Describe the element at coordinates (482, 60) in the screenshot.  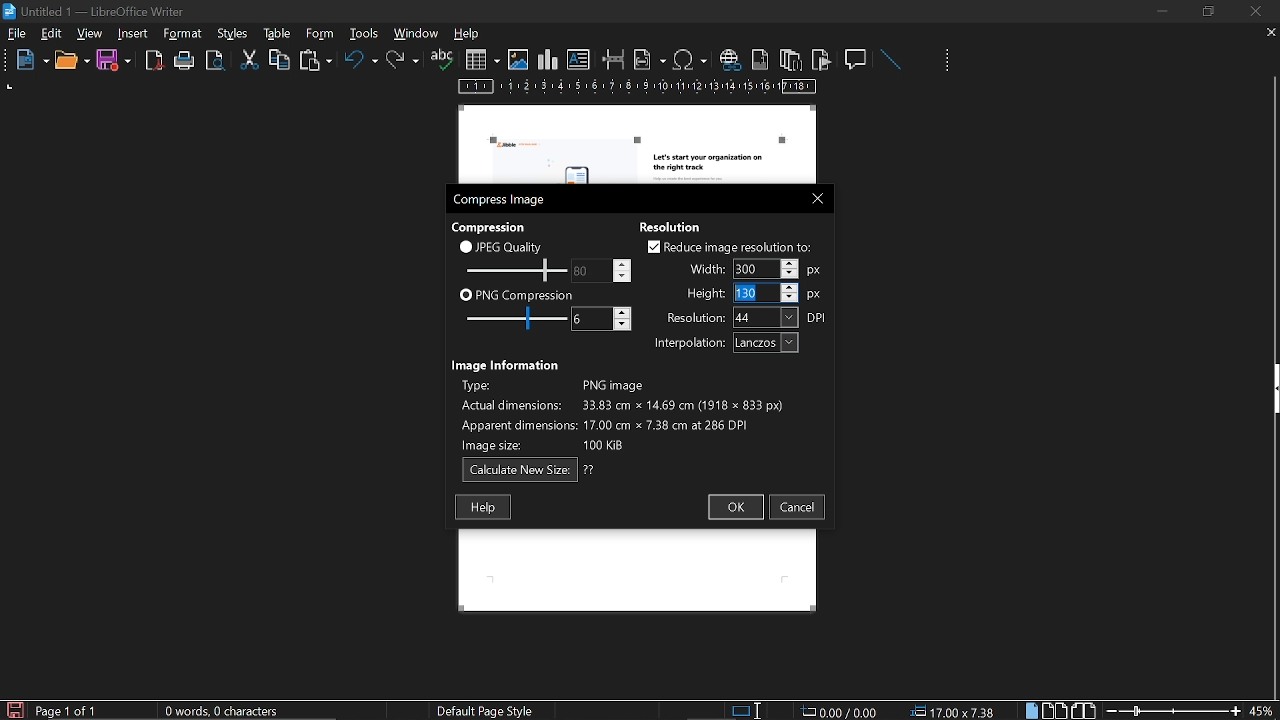
I see `insert table` at that location.